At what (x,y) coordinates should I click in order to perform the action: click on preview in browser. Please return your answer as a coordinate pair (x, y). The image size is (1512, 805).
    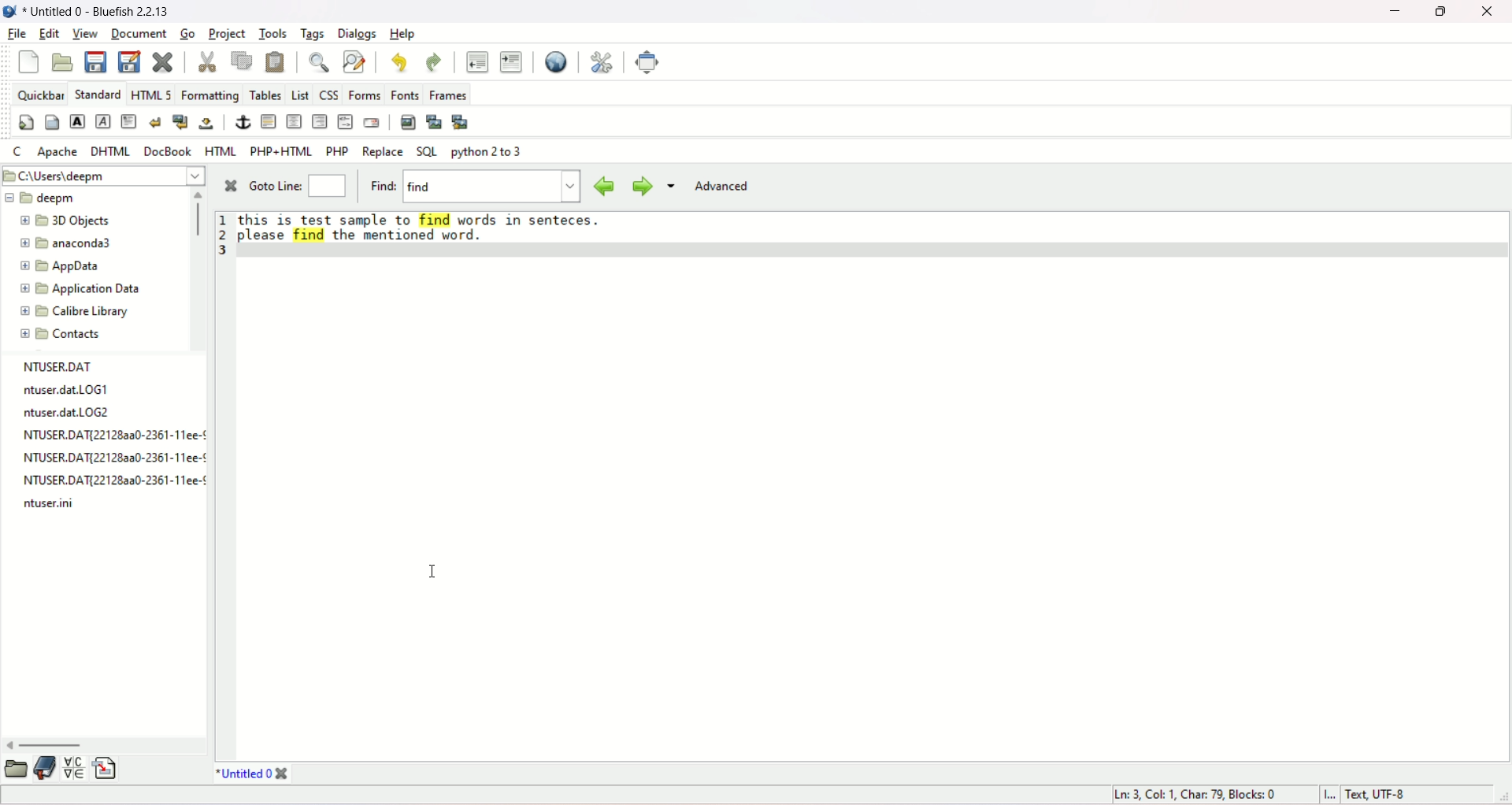
    Looking at the image, I should click on (554, 61).